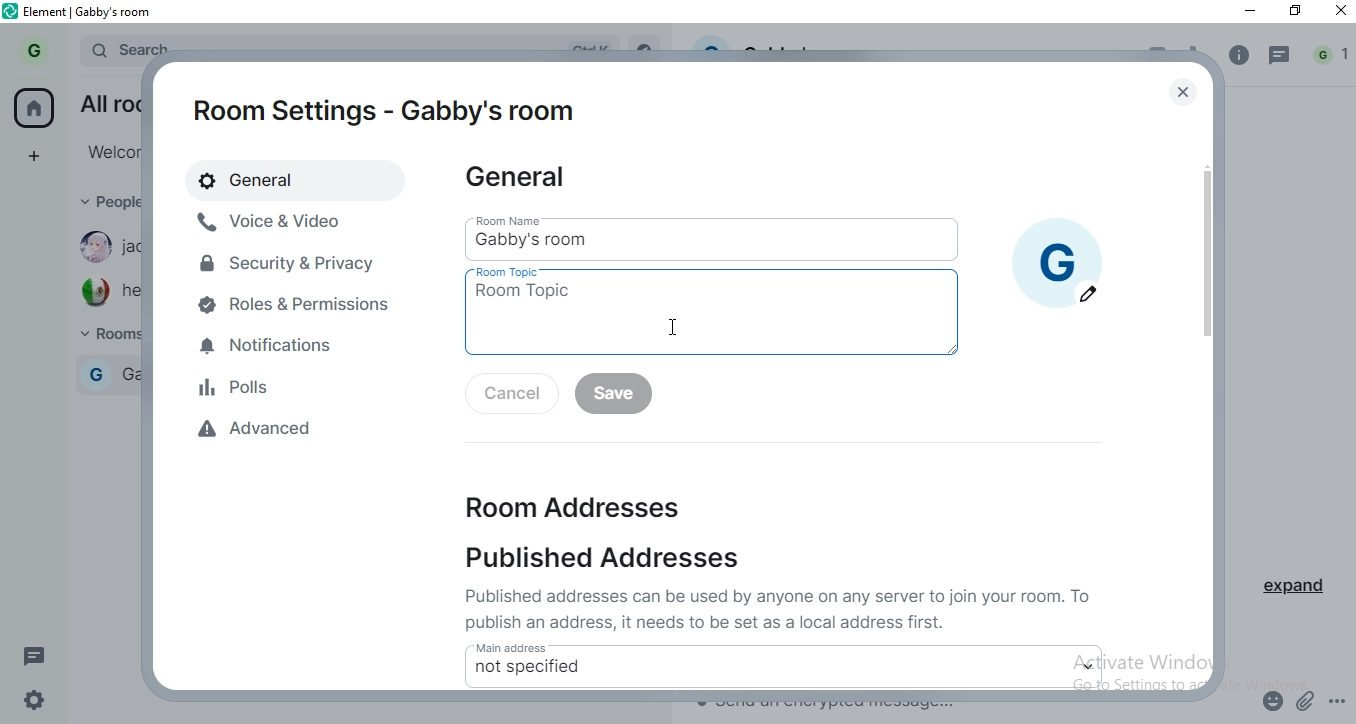 The image size is (1356, 724). Describe the element at coordinates (386, 109) in the screenshot. I see `room settings` at that location.